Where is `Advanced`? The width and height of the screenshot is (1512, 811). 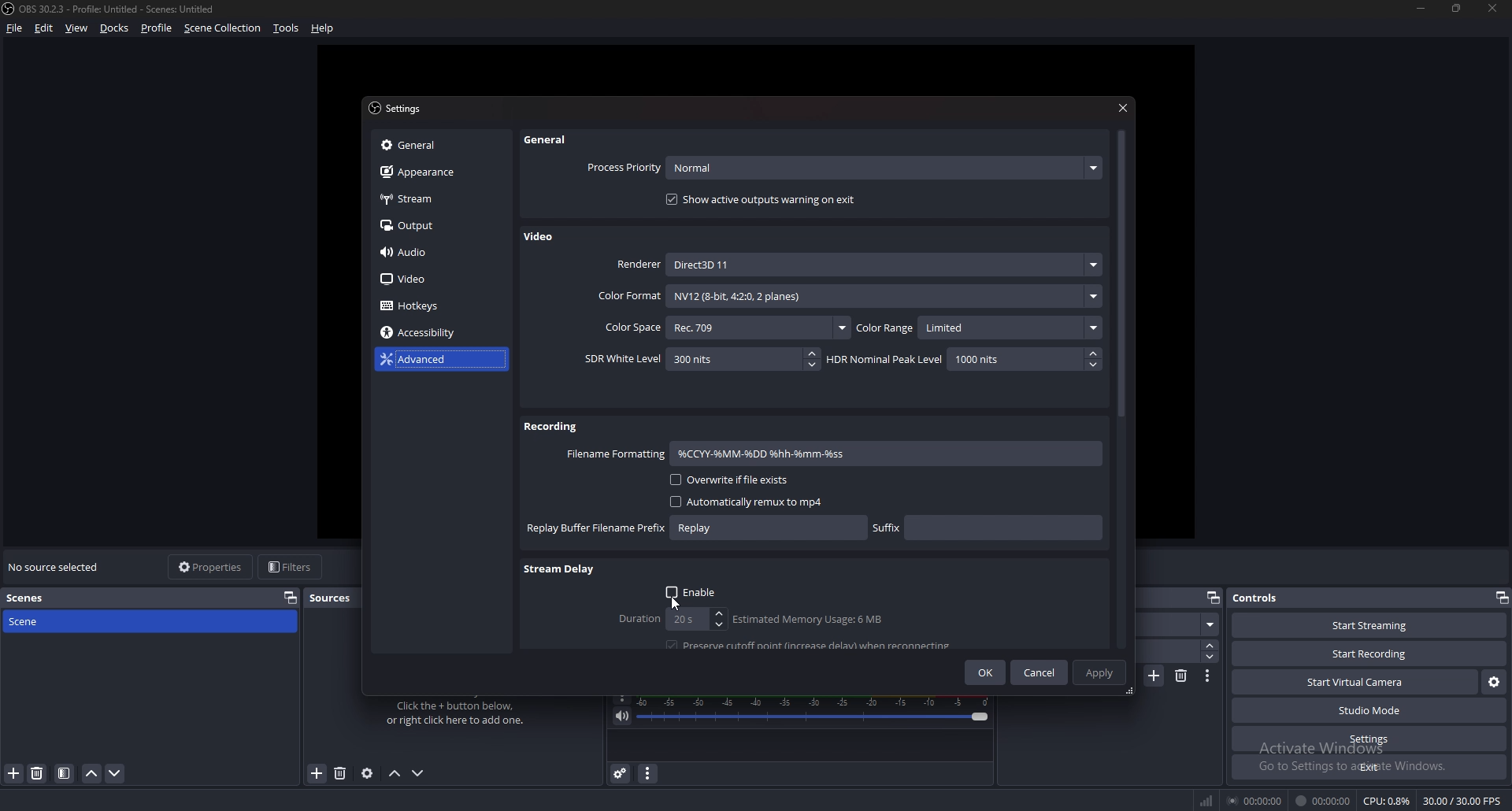 Advanced is located at coordinates (433, 360).